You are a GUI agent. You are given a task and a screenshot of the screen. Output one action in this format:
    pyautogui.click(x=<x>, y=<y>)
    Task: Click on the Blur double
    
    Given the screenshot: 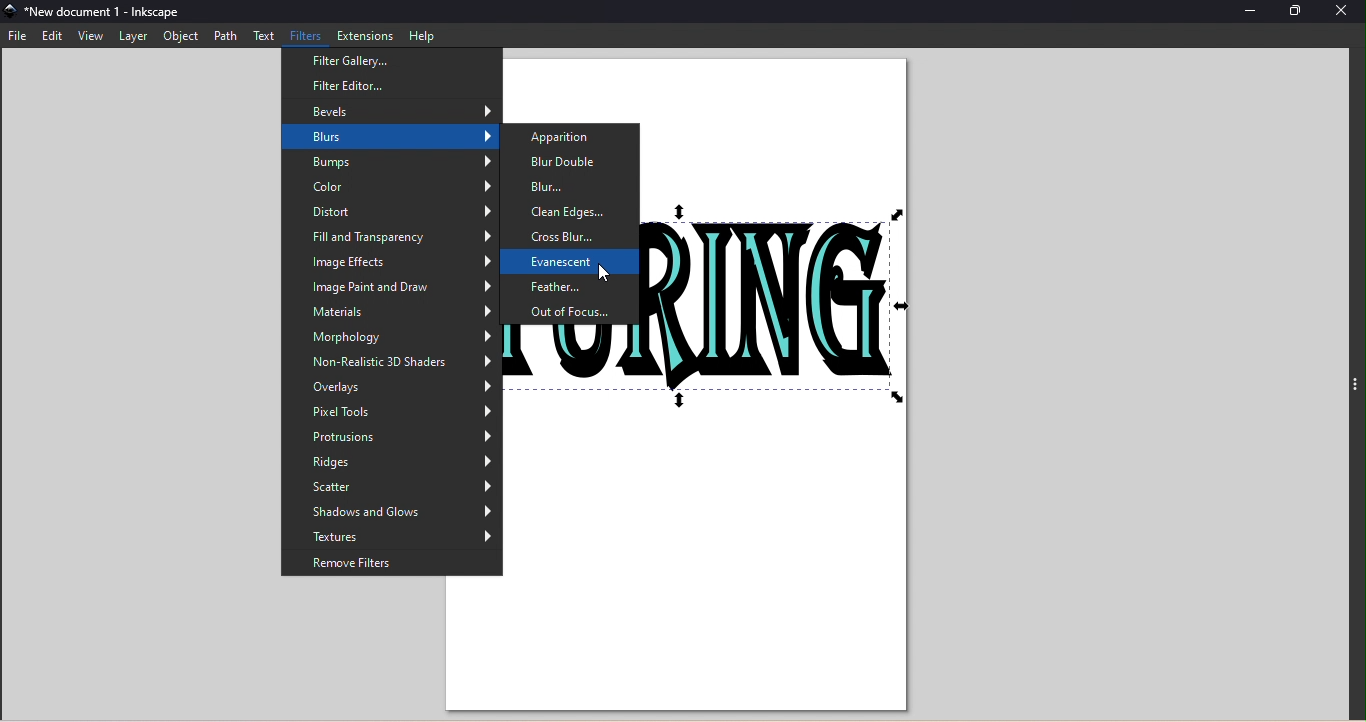 What is the action you would take?
    pyautogui.click(x=561, y=161)
    